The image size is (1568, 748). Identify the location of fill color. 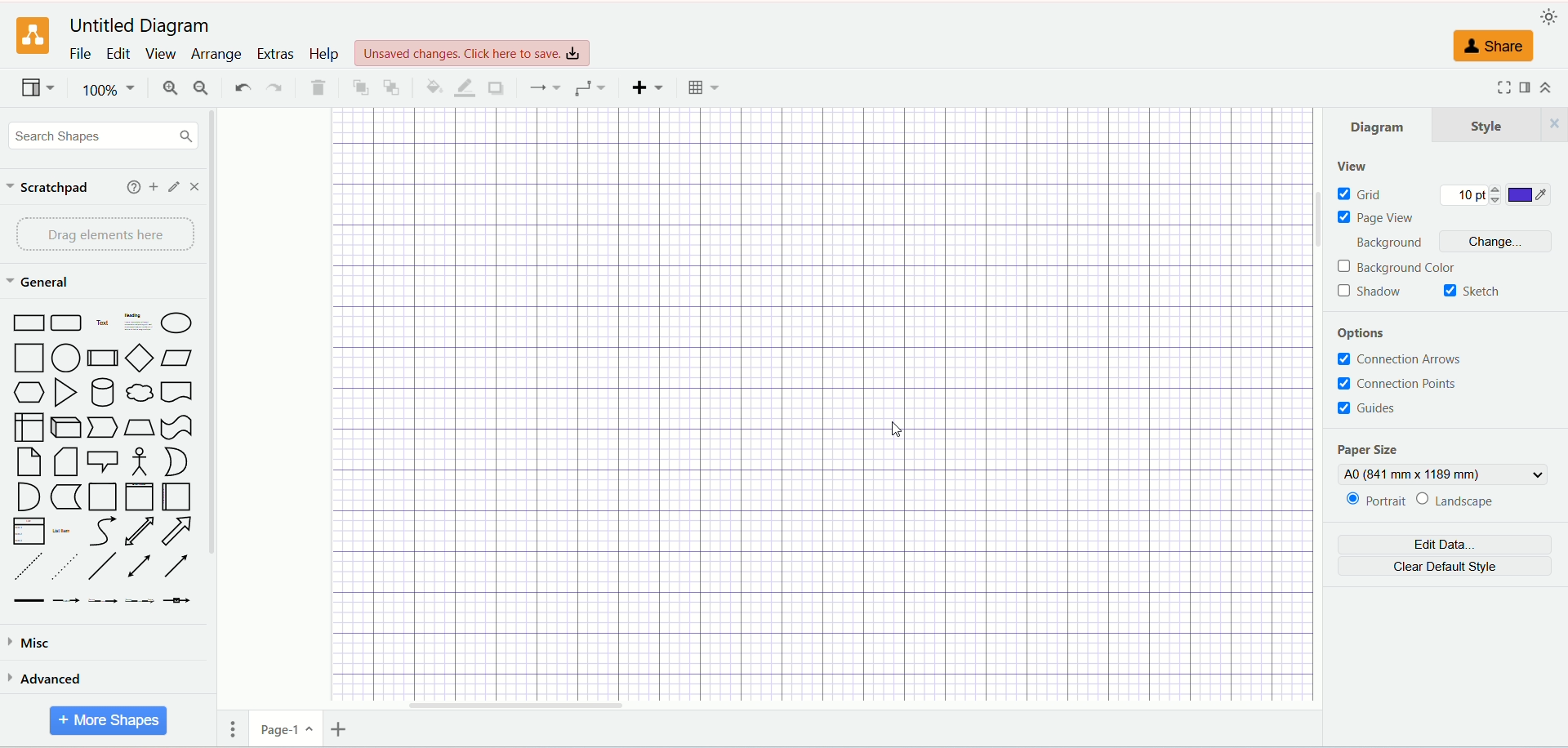
(430, 86).